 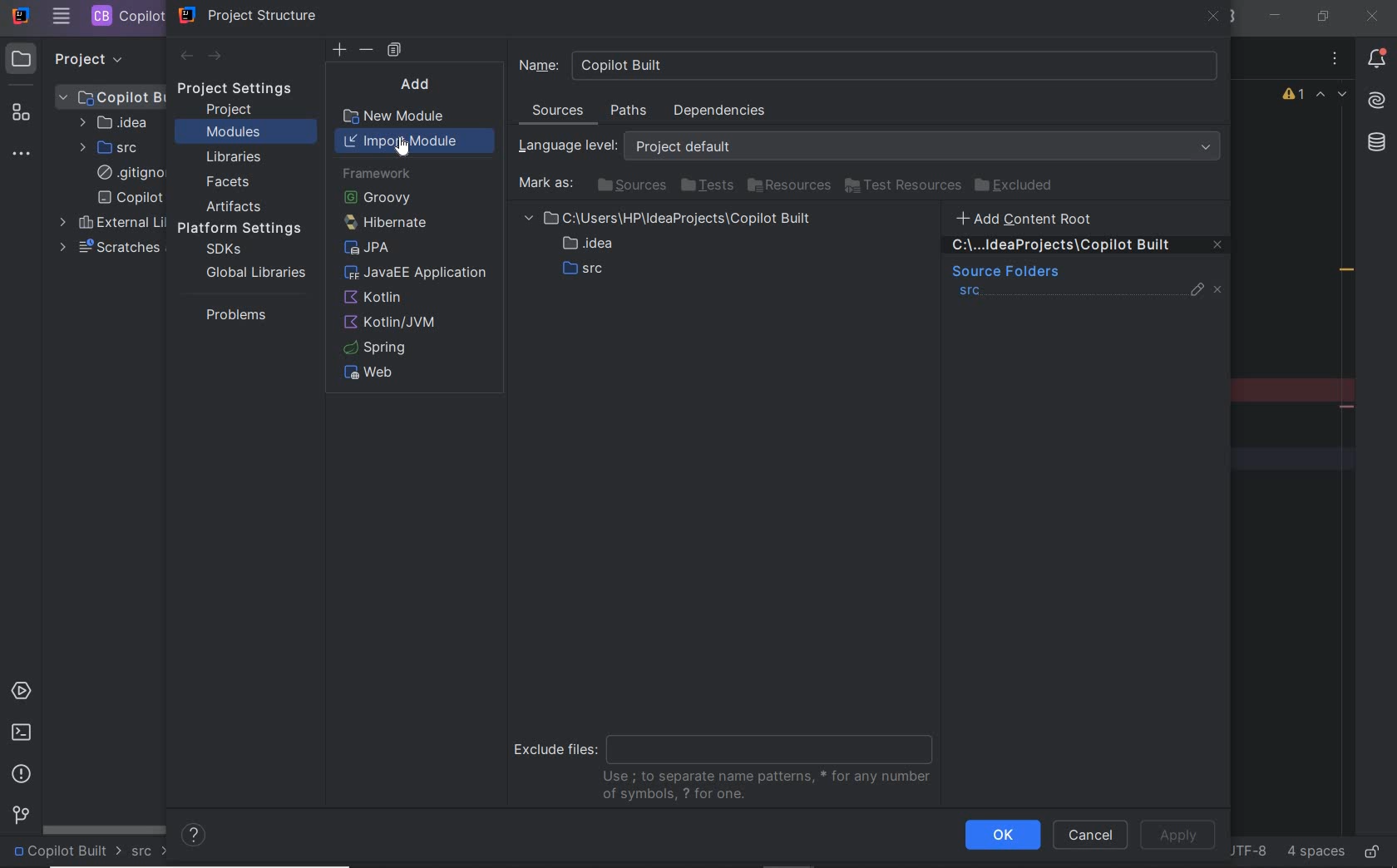 What do you see at coordinates (629, 185) in the screenshot?
I see `sources` at bounding box center [629, 185].